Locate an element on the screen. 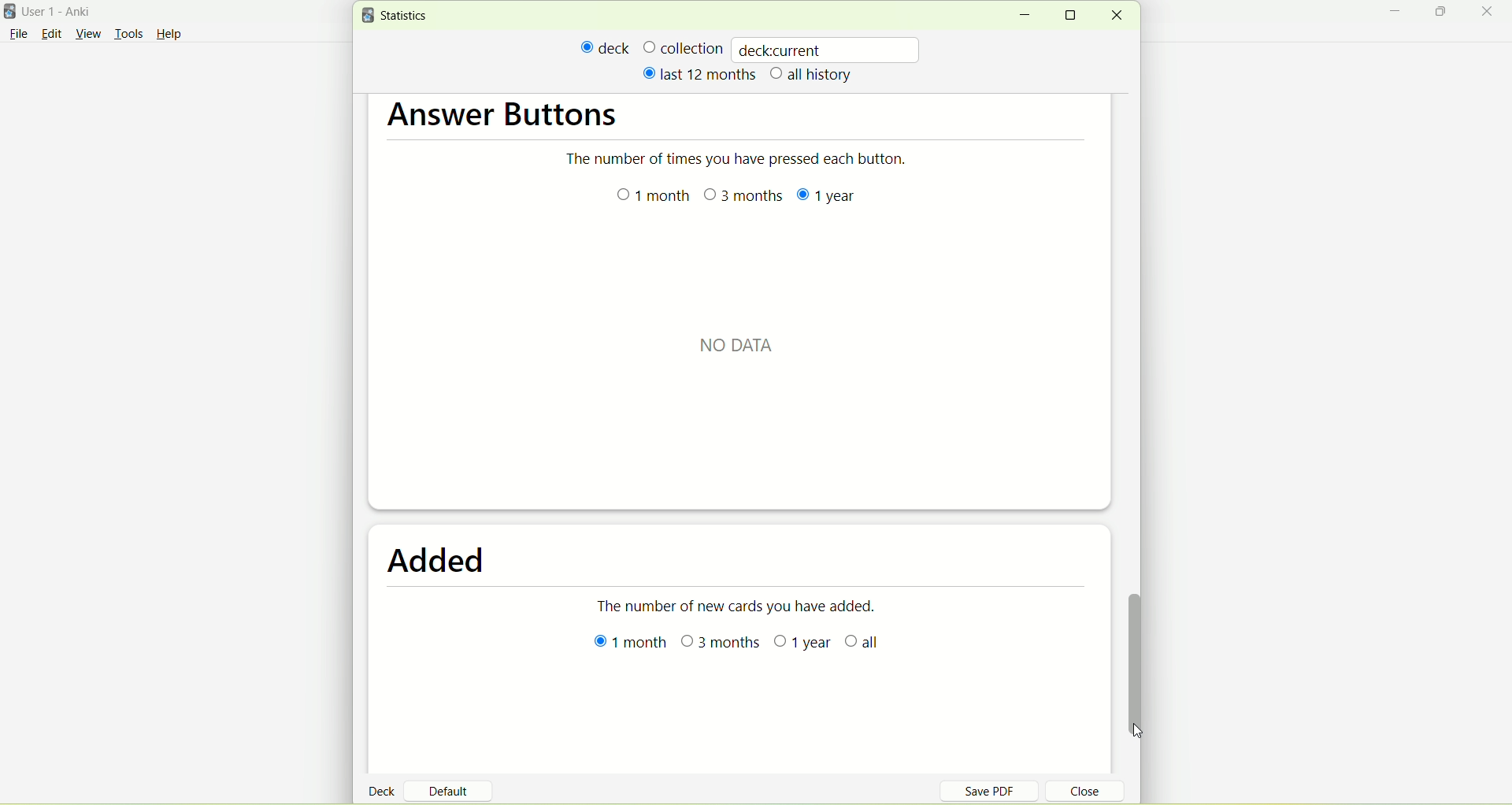 The image size is (1512, 805). view is located at coordinates (91, 35).